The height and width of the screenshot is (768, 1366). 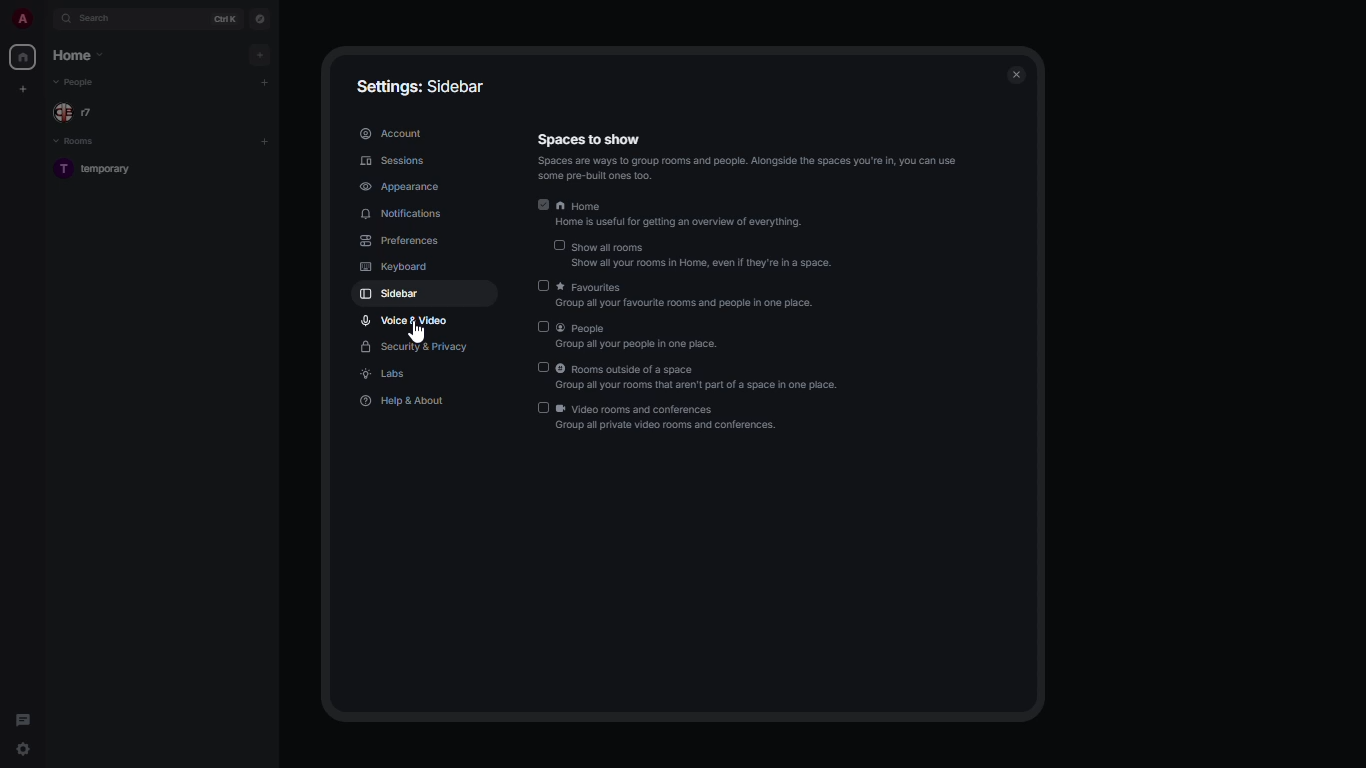 I want to click on rooms, so click(x=78, y=142).